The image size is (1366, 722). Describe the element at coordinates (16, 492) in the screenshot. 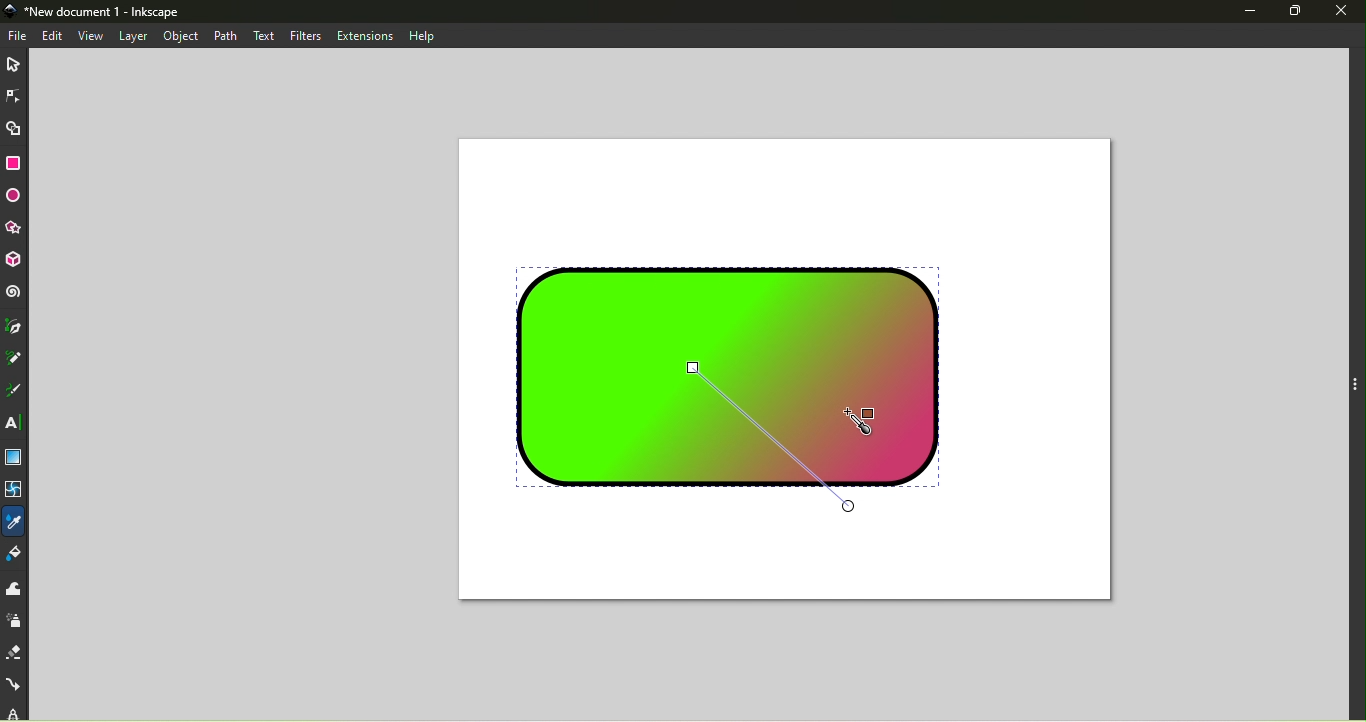

I see `Mesh tool` at that location.